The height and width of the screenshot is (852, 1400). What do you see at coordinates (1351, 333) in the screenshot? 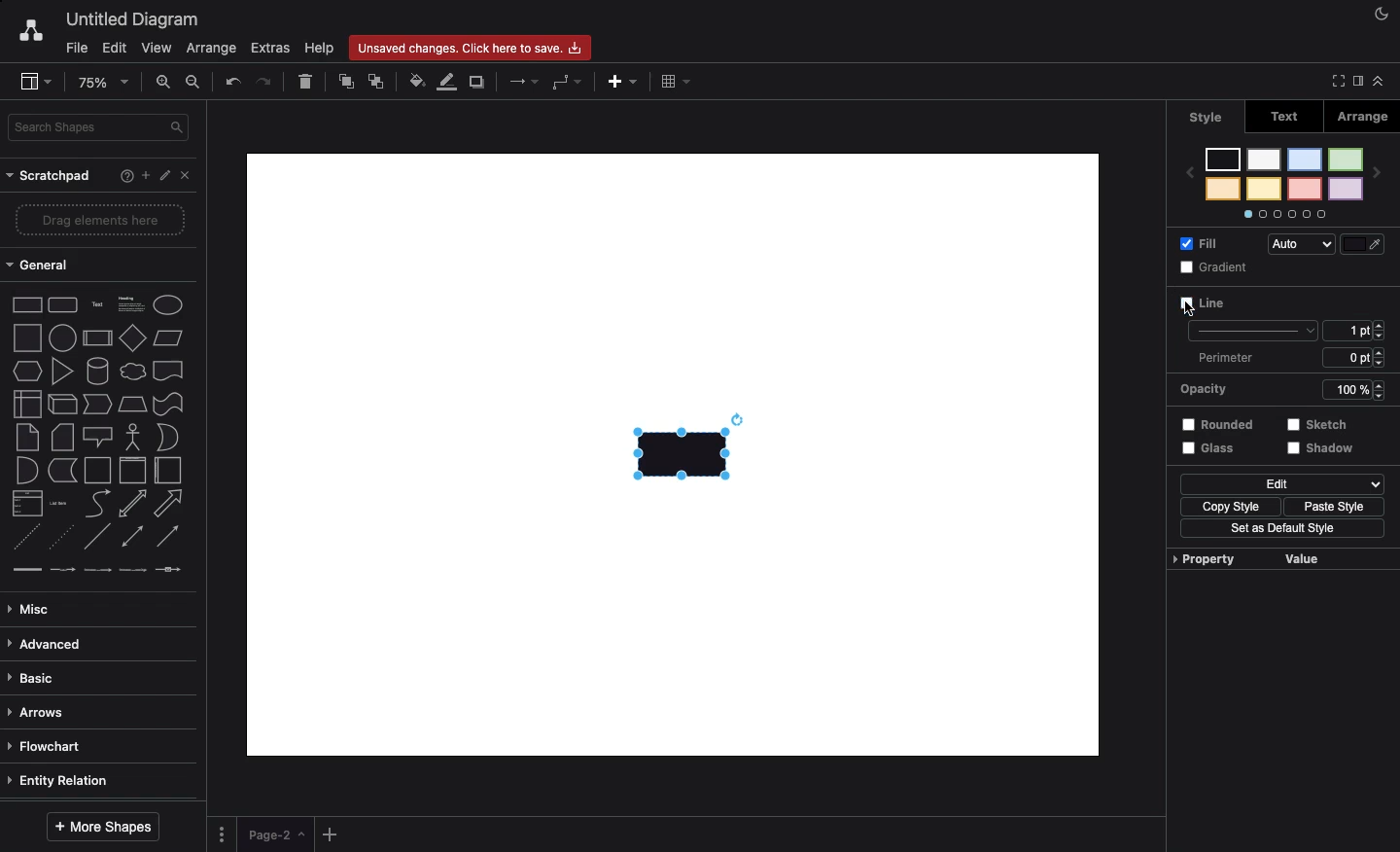
I see `1 pt` at bounding box center [1351, 333].